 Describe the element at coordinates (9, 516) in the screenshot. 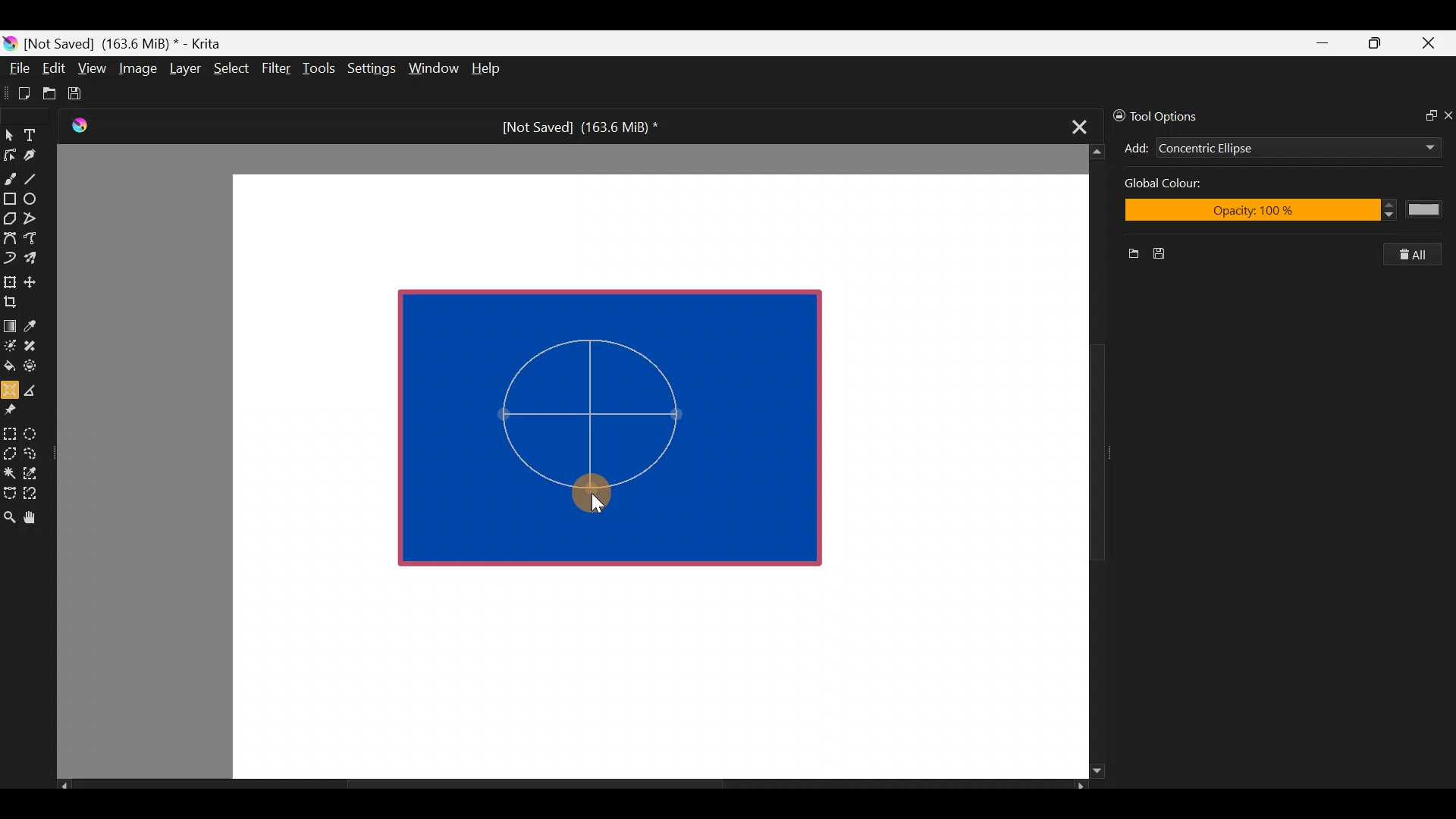

I see `Zoom tool` at that location.